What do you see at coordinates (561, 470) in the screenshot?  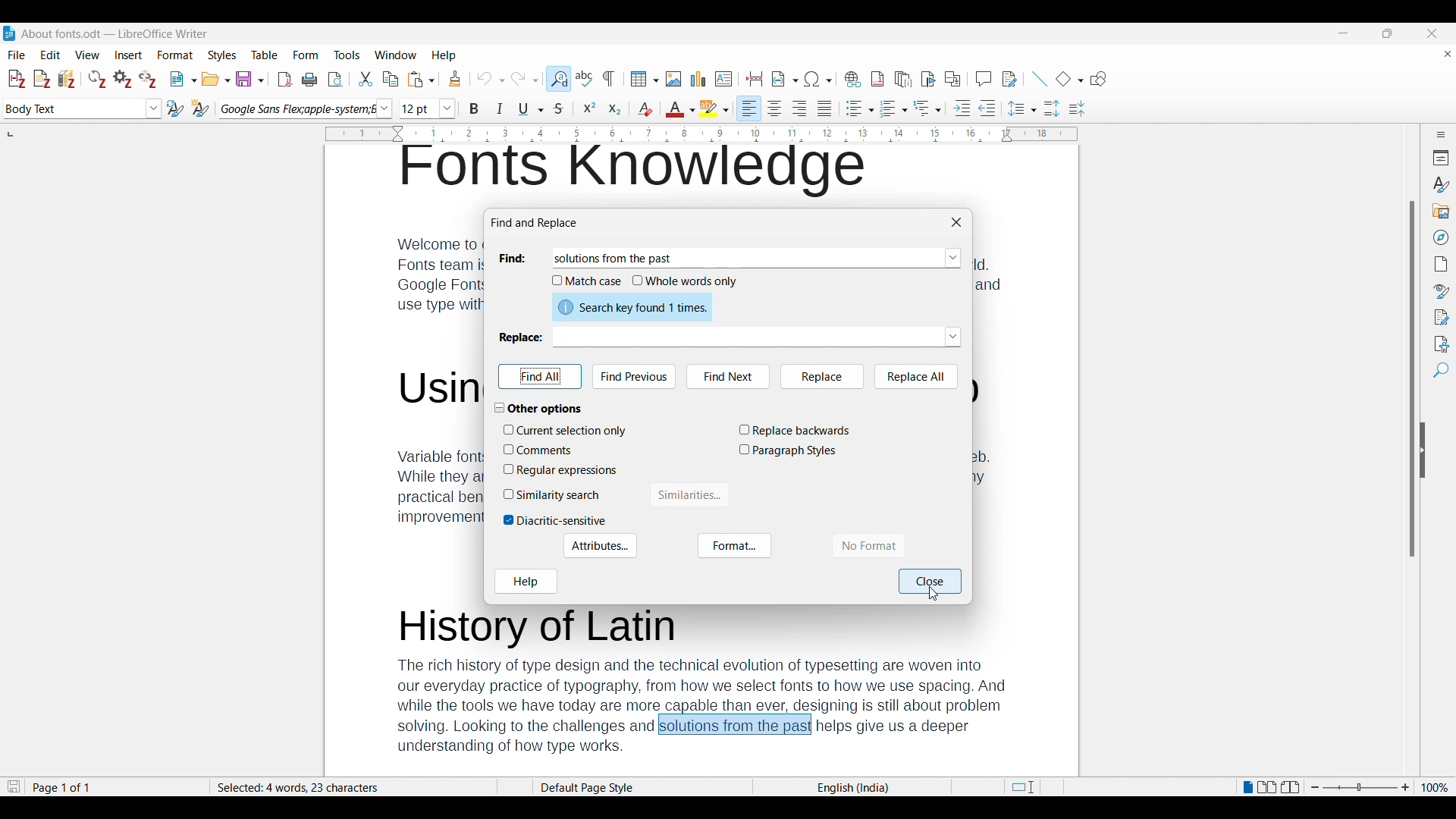 I see `Toggle for Regular expressions` at bounding box center [561, 470].